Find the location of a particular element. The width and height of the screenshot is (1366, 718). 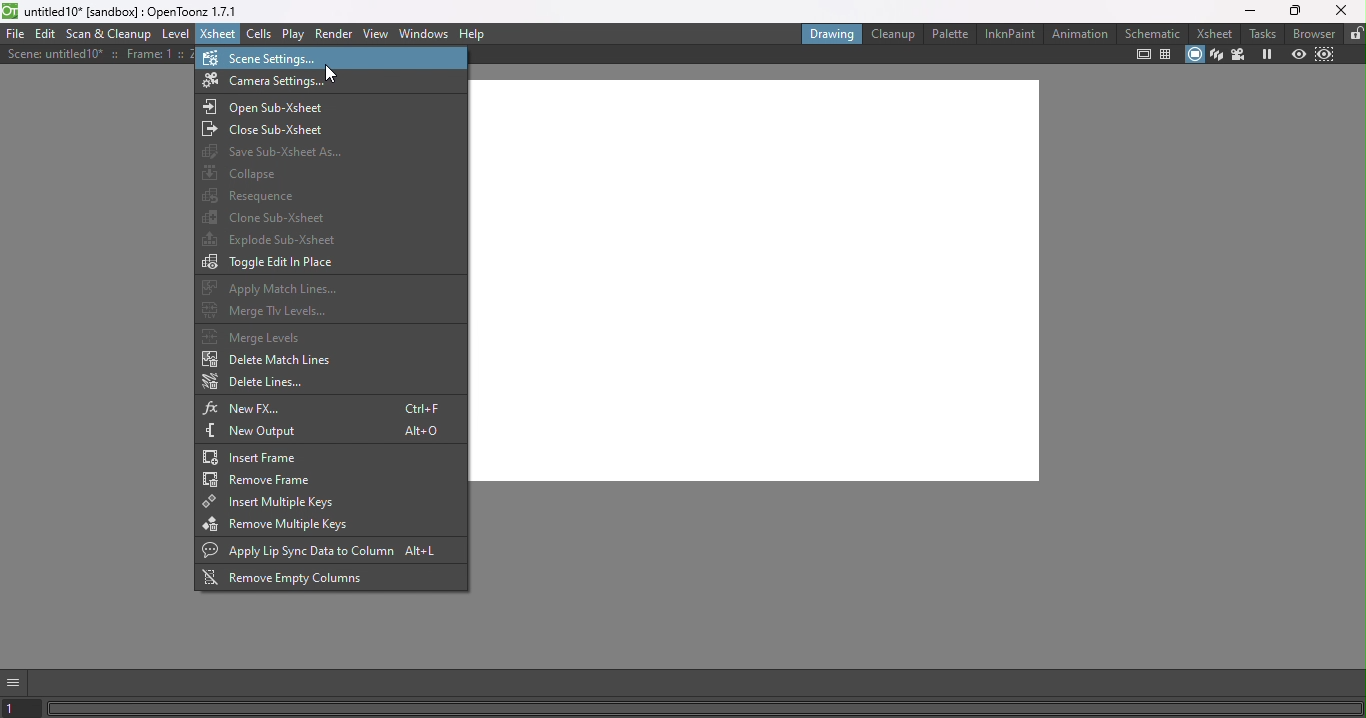

3D view is located at coordinates (1215, 53).